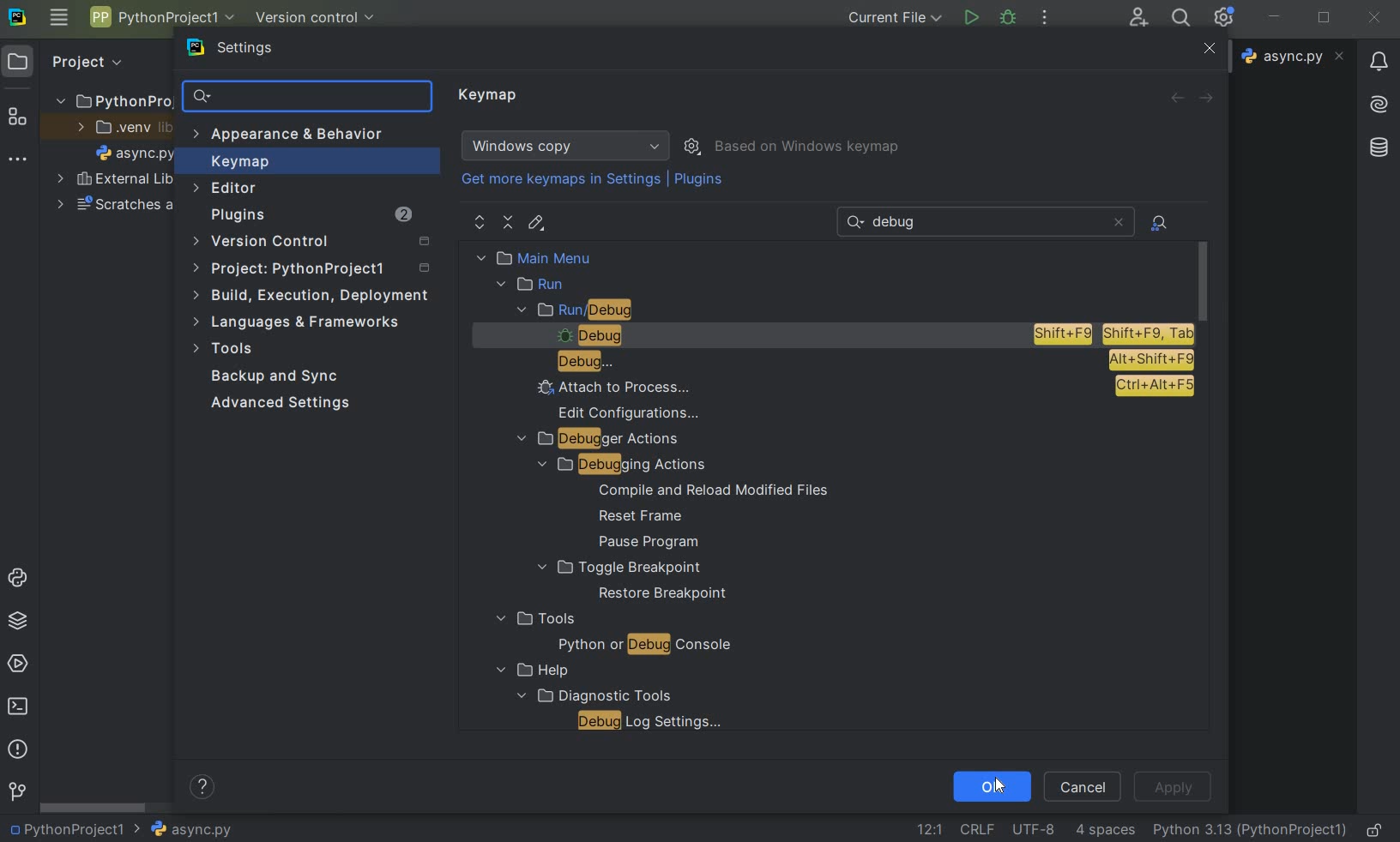 The height and width of the screenshot is (842, 1400). Describe the element at coordinates (317, 243) in the screenshot. I see `version control` at that location.